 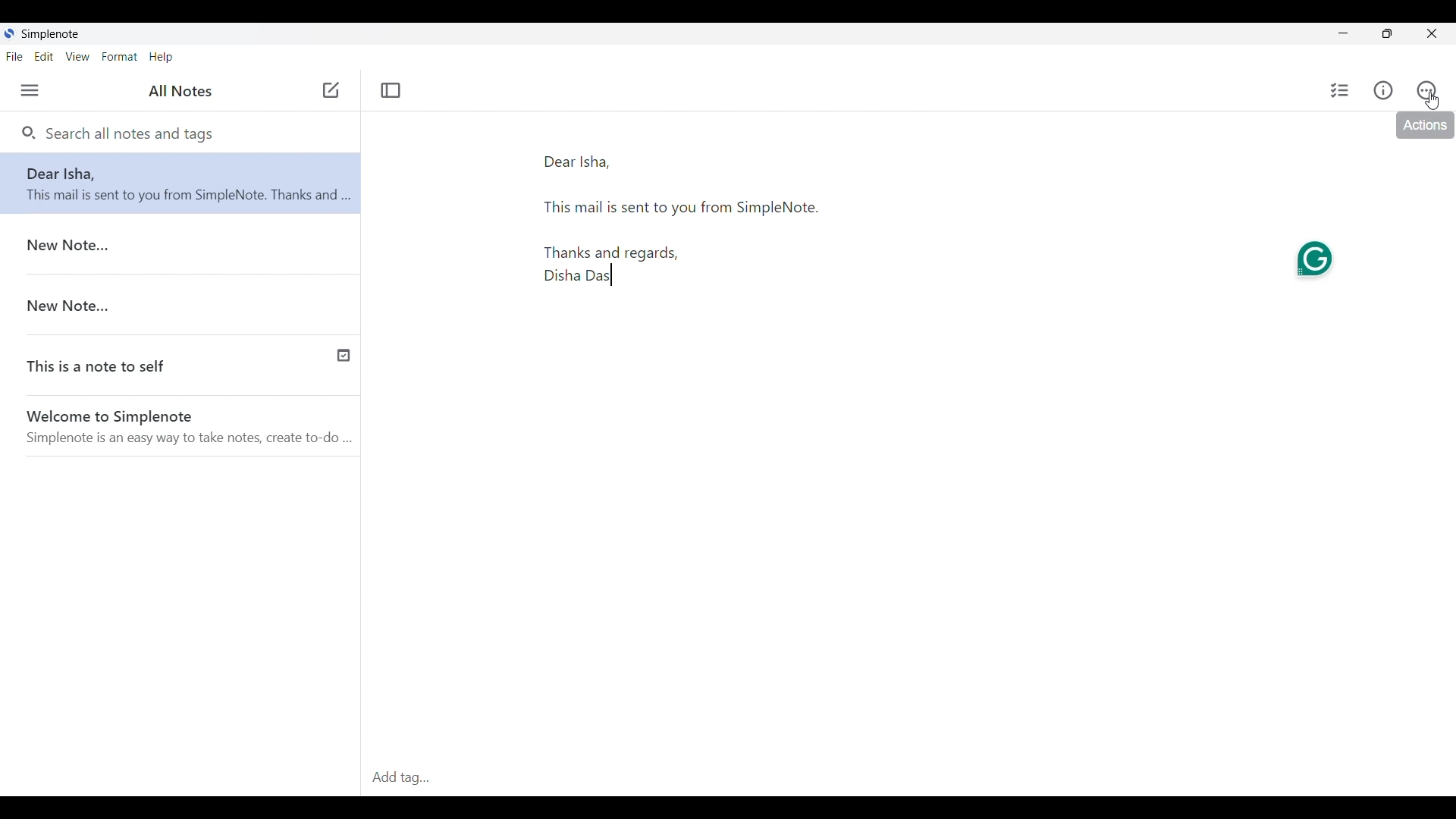 I want to click on Minimize, so click(x=1344, y=33).